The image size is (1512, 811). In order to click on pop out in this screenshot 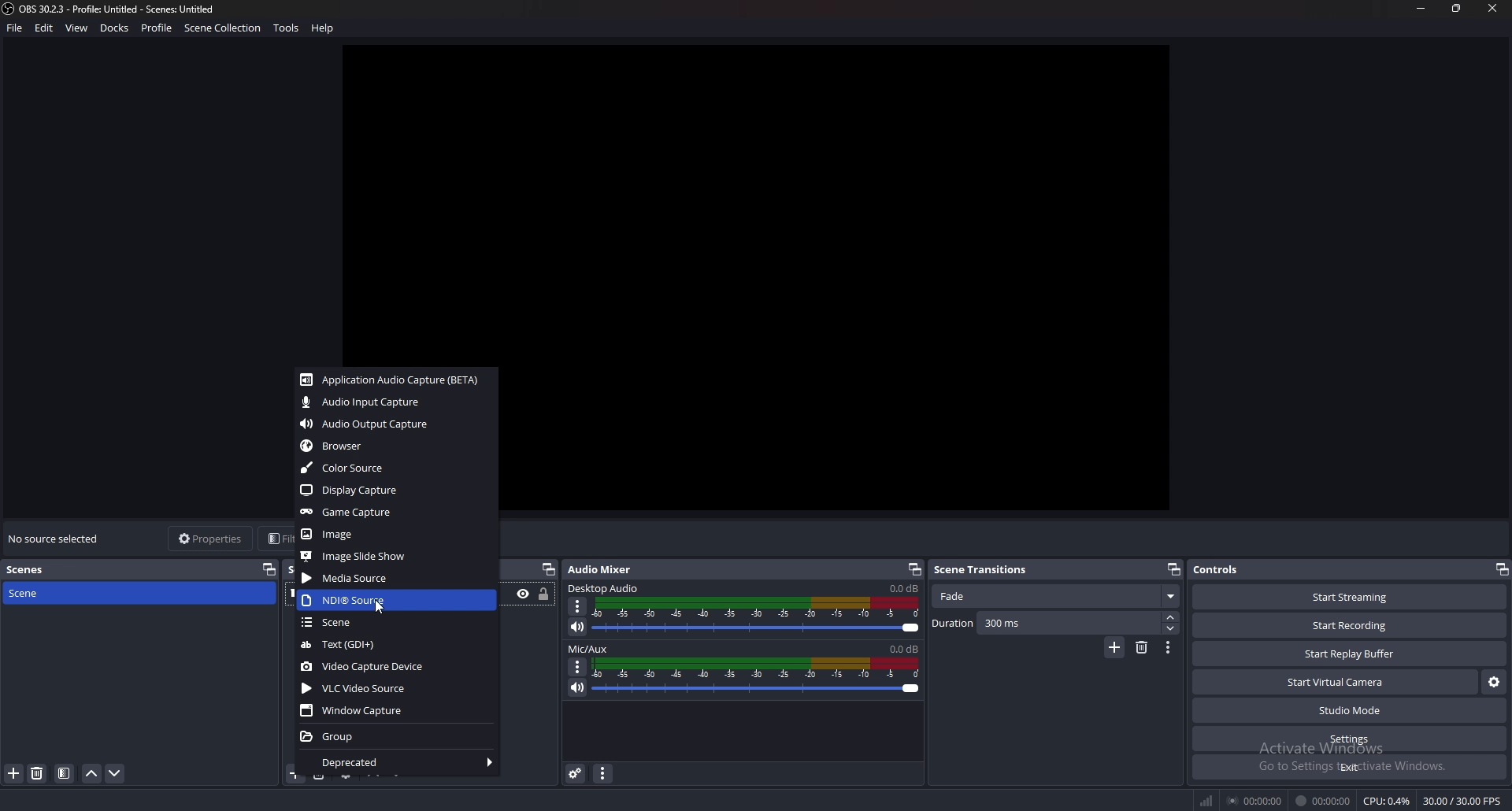, I will do `click(269, 566)`.